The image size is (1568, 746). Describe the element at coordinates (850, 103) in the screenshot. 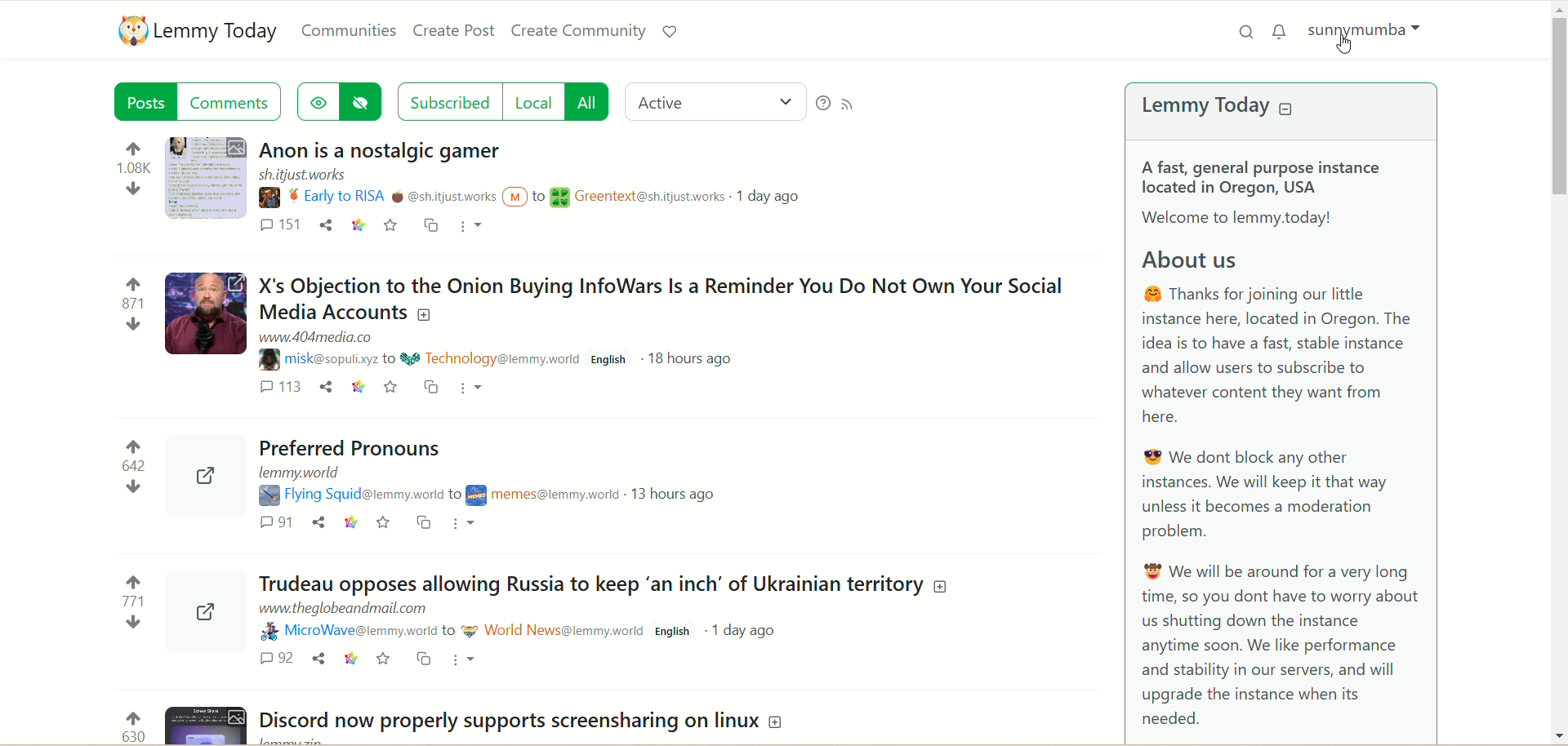

I see `RSS` at that location.